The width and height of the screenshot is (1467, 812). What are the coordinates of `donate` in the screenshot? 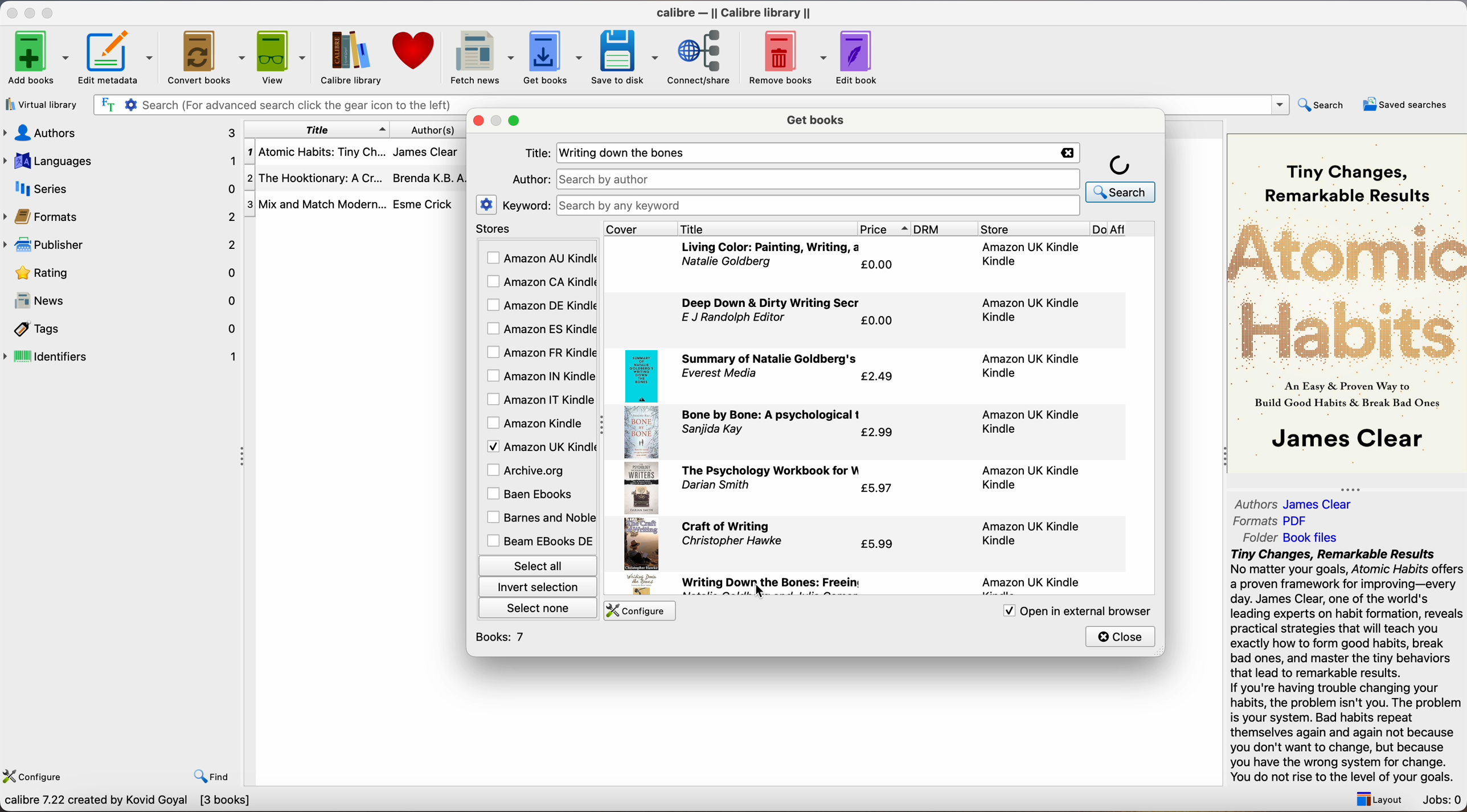 It's located at (415, 51).